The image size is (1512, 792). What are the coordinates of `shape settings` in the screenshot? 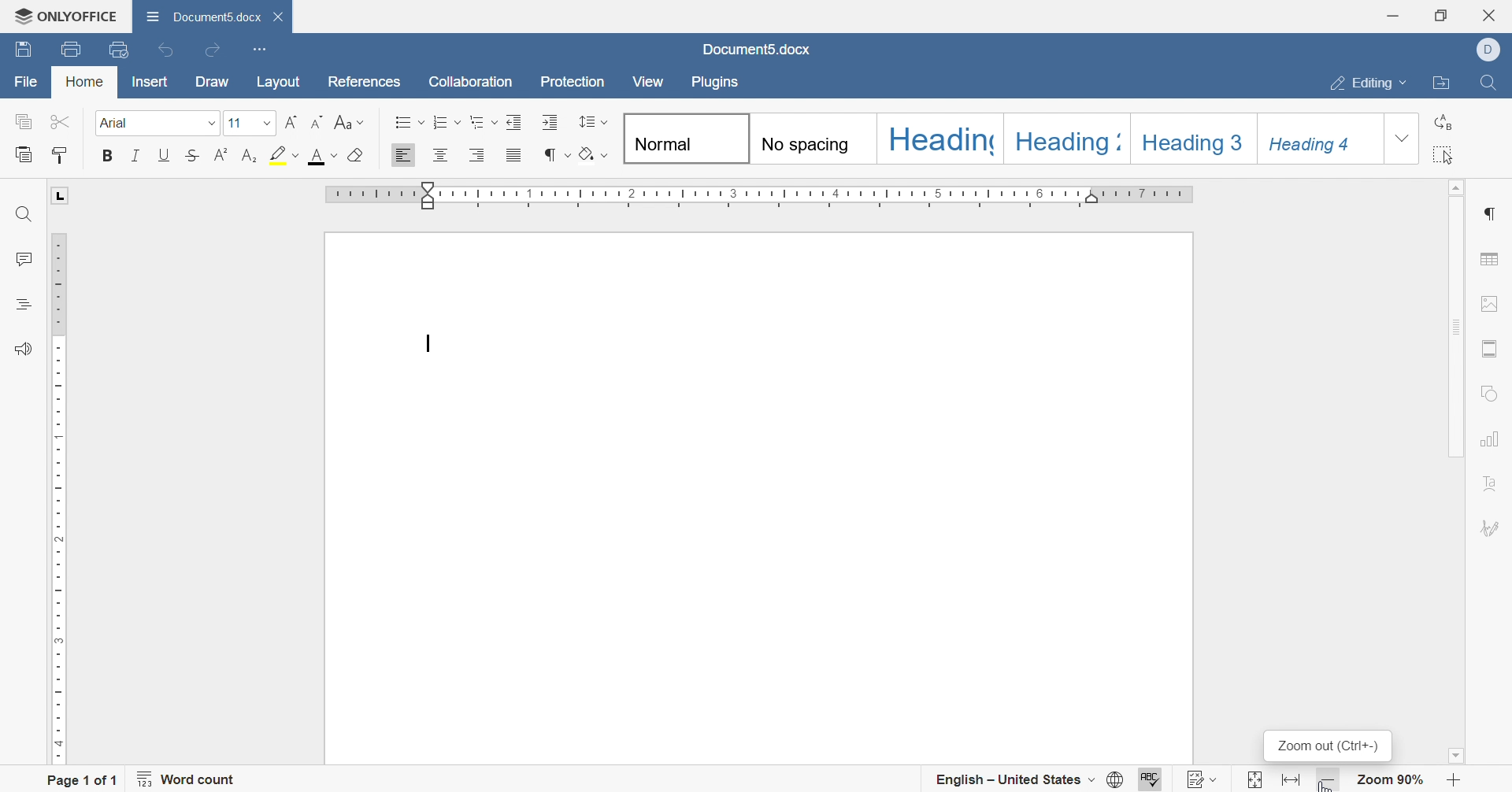 It's located at (1488, 394).